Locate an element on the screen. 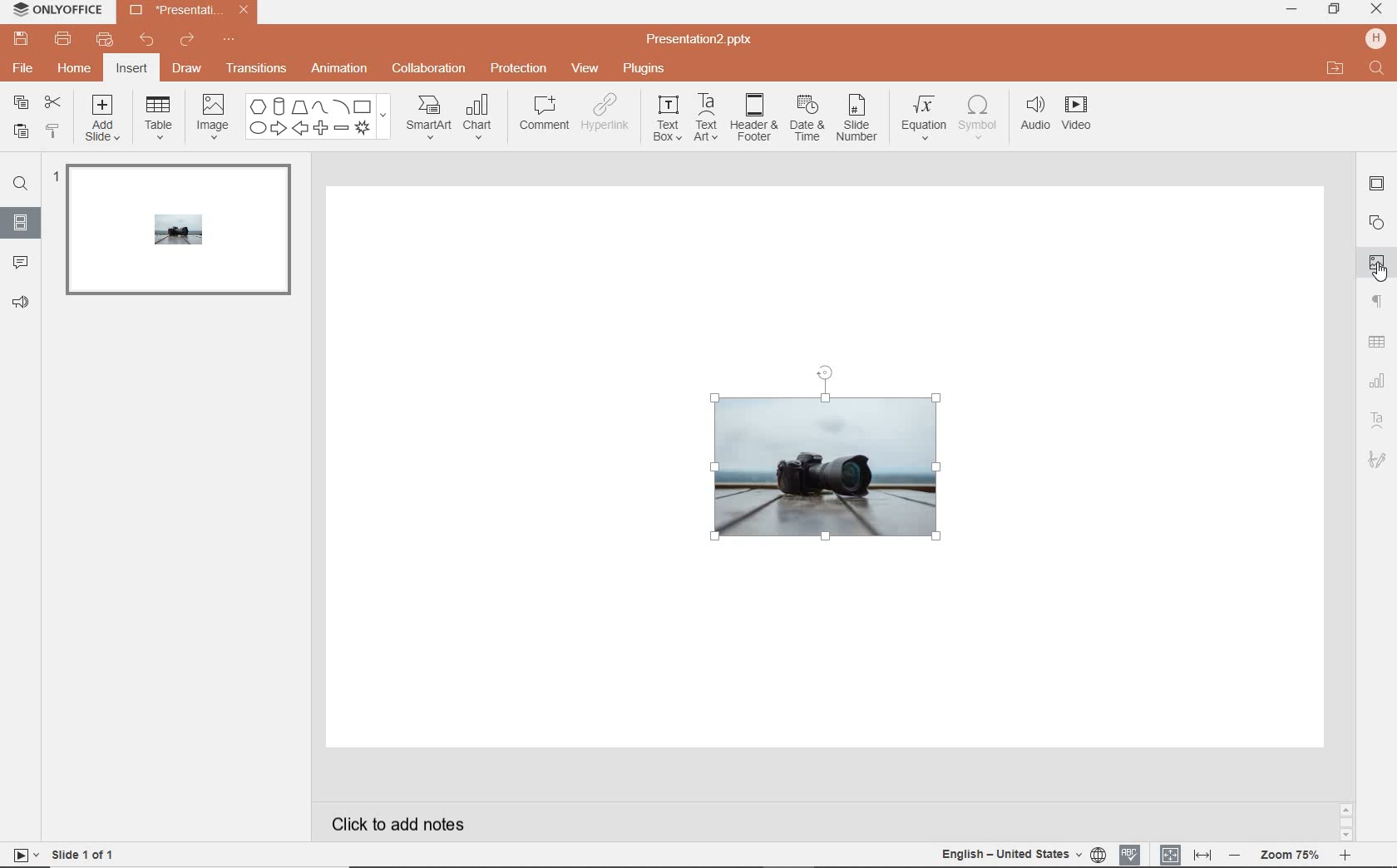 Image resolution: width=1397 pixels, height=868 pixels. Presentation2.pptx is located at coordinates (714, 37).